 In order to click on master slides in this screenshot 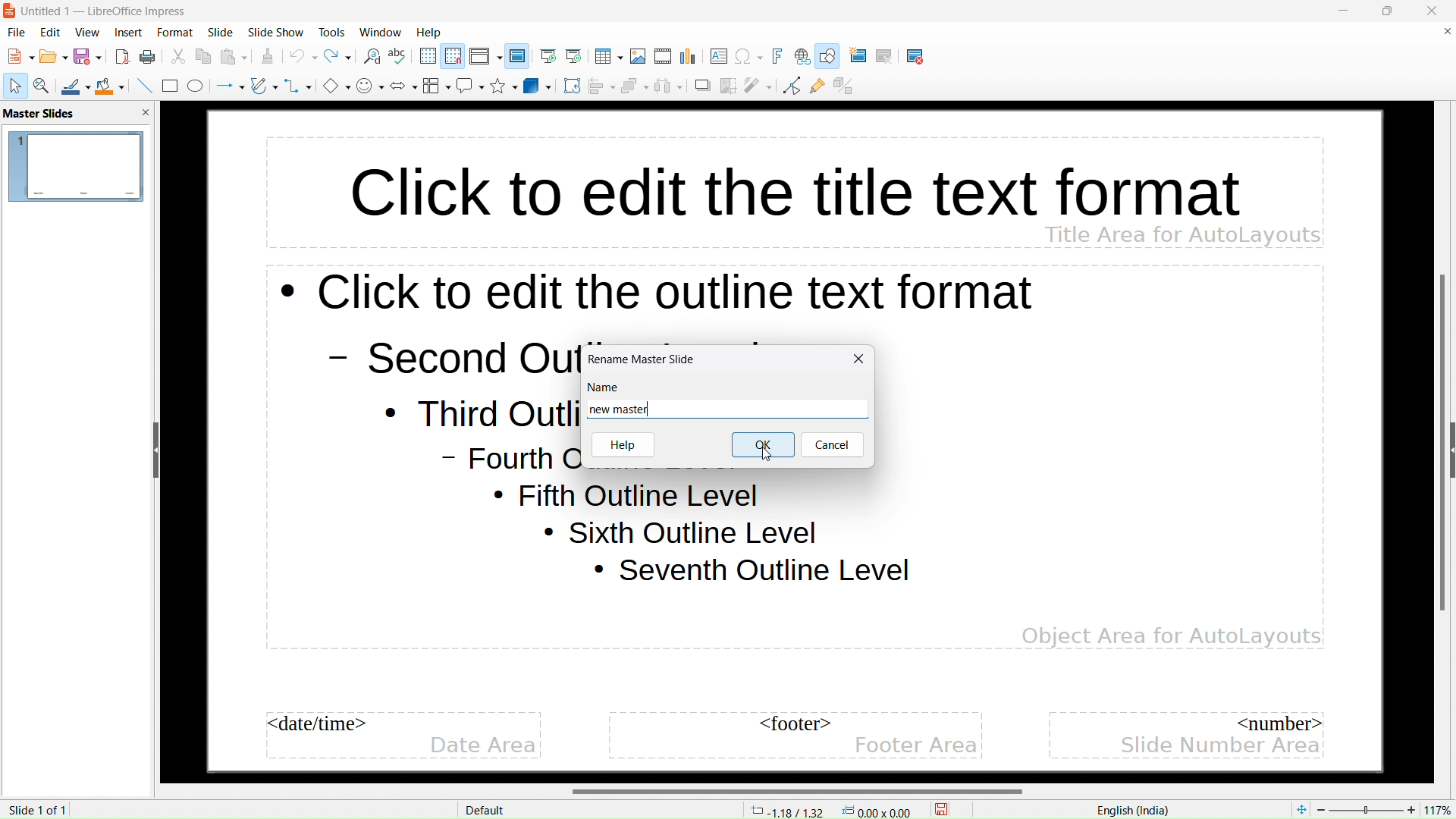, I will do `click(39, 114)`.